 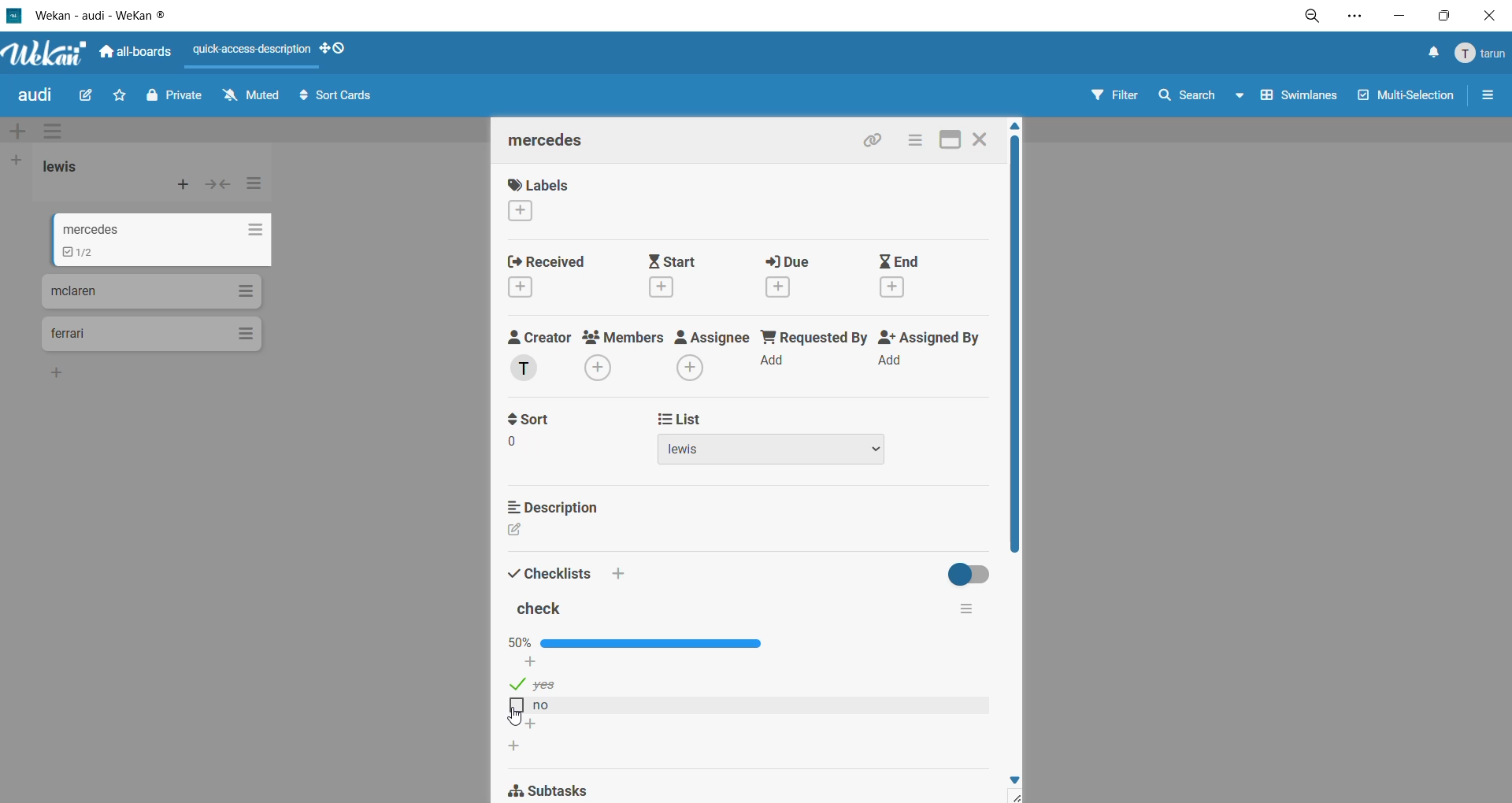 What do you see at coordinates (543, 608) in the screenshot?
I see `checklist title` at bounding box center [543, 608].